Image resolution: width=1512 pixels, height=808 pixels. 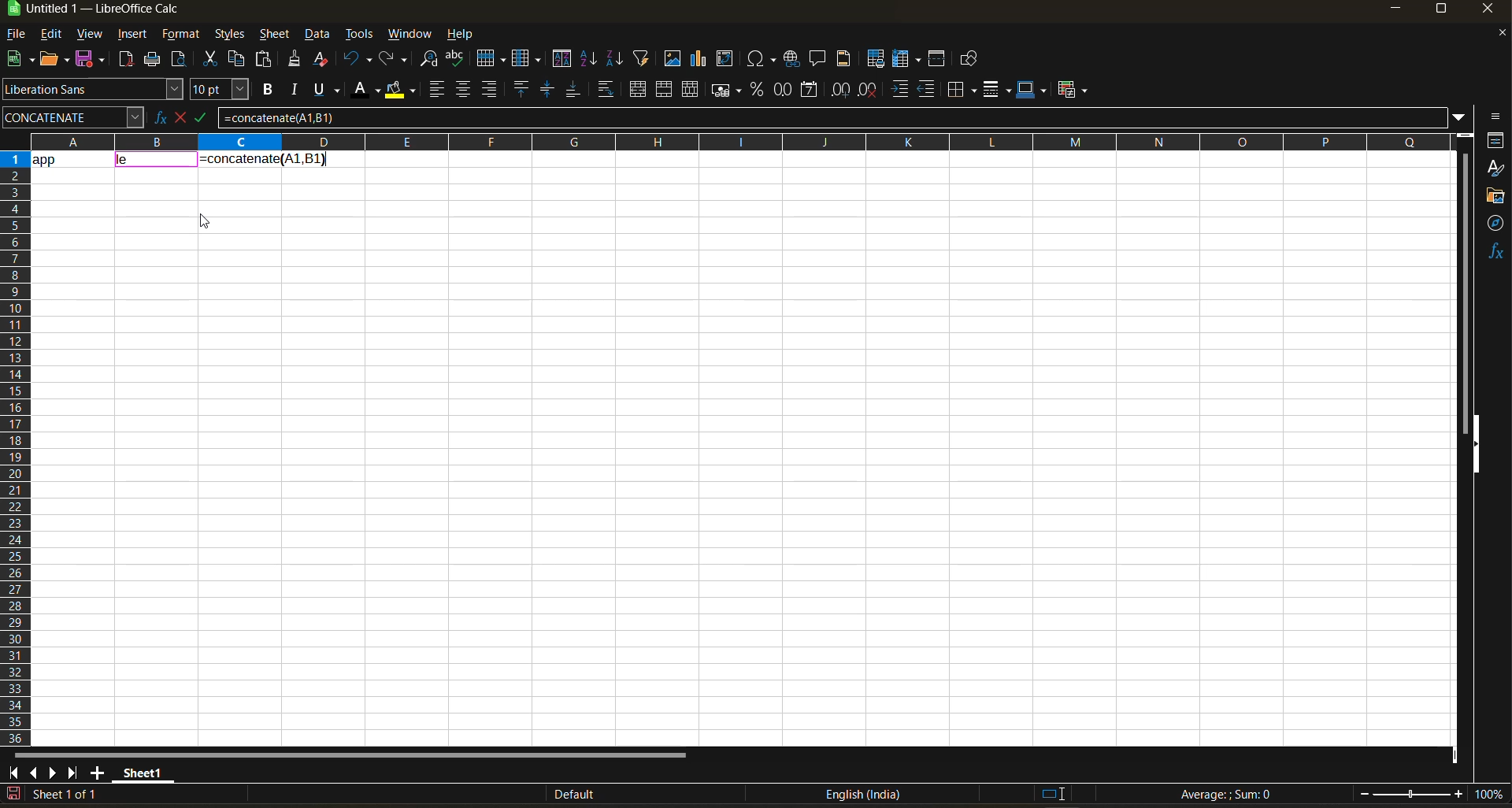 What do you see at coordinates (902, 90) in the screenshot?
I see `increase indent` at bounding box center [902, 90].